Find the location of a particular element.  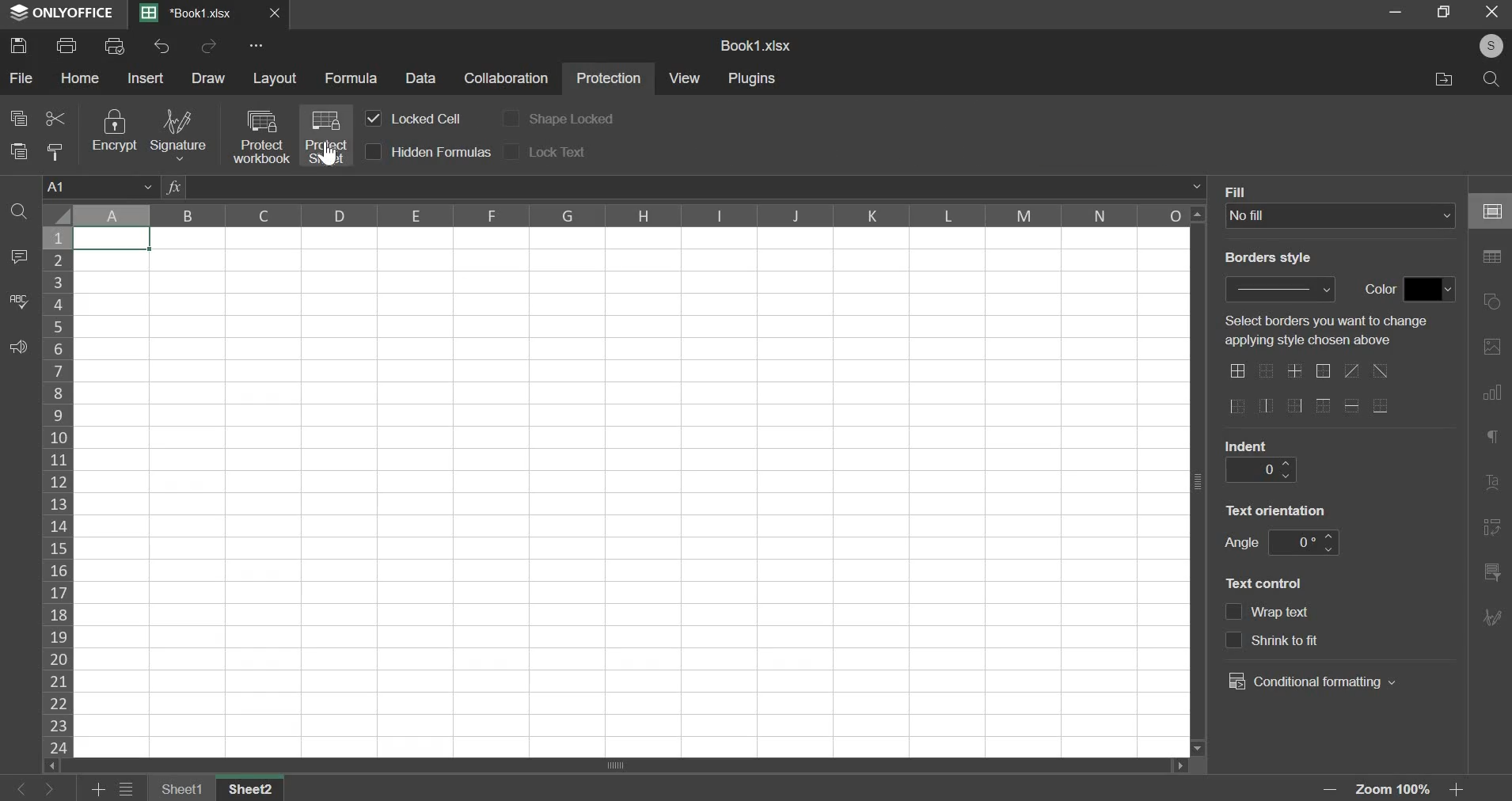

right side bar is located at coordinates (1494, 257).